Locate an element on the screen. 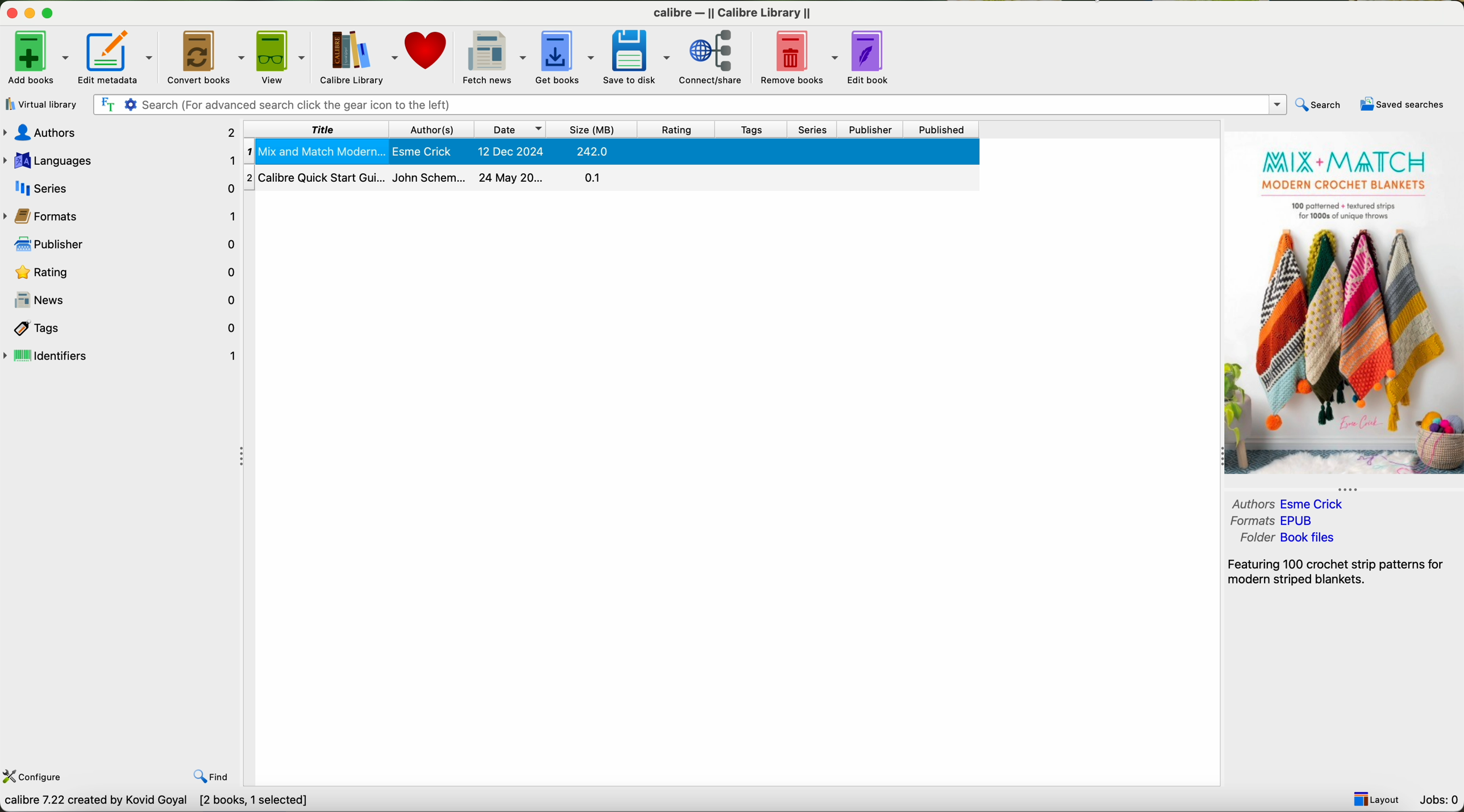 This screenshot has height=812, width=1464. edit book is located at coordinates (871, 57).